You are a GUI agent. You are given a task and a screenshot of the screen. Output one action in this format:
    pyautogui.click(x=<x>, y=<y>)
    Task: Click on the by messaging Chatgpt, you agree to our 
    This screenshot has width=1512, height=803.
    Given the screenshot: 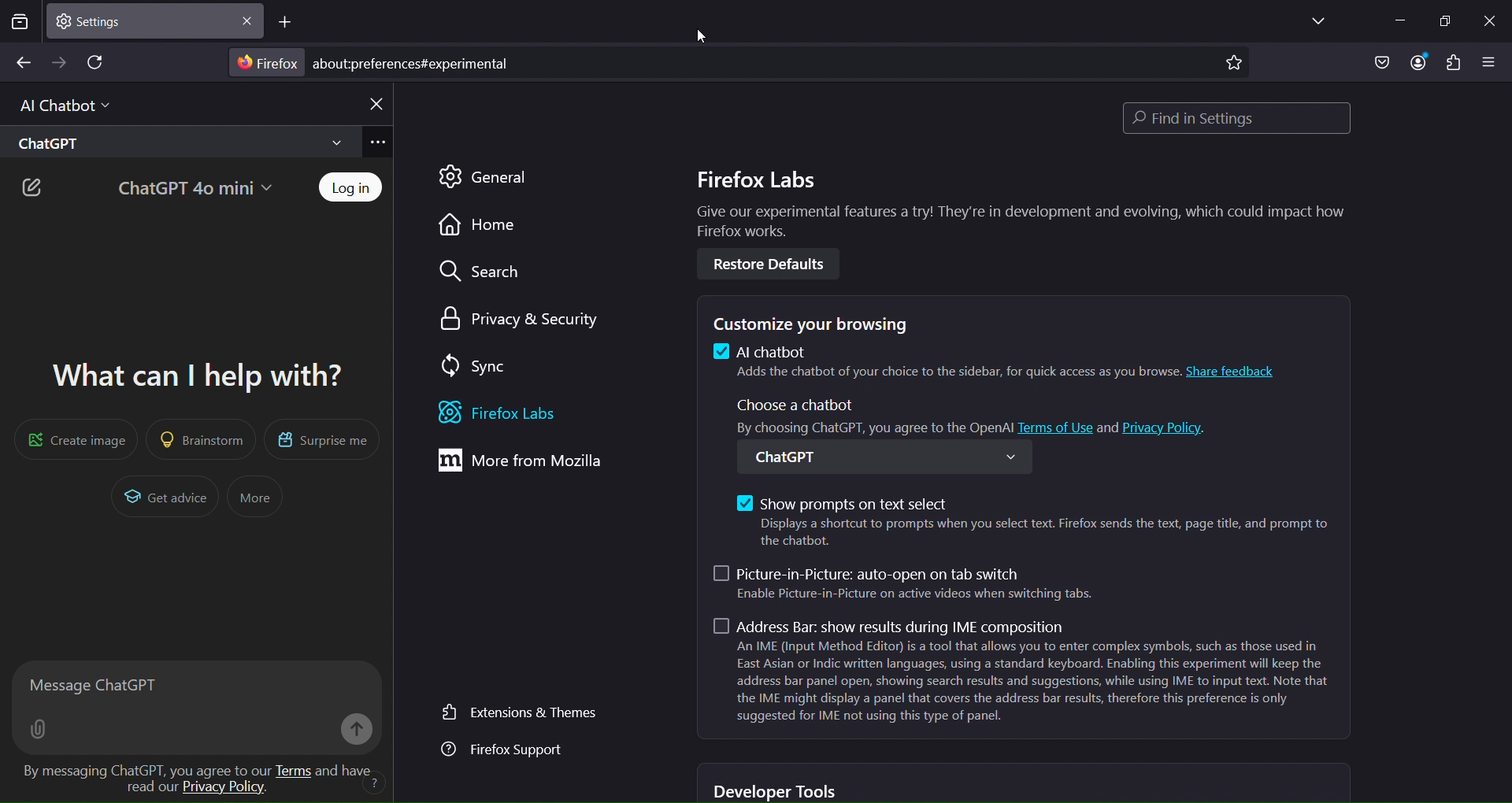 What is the action you would take?
    pyautogui.click(x=140, y=768)
    